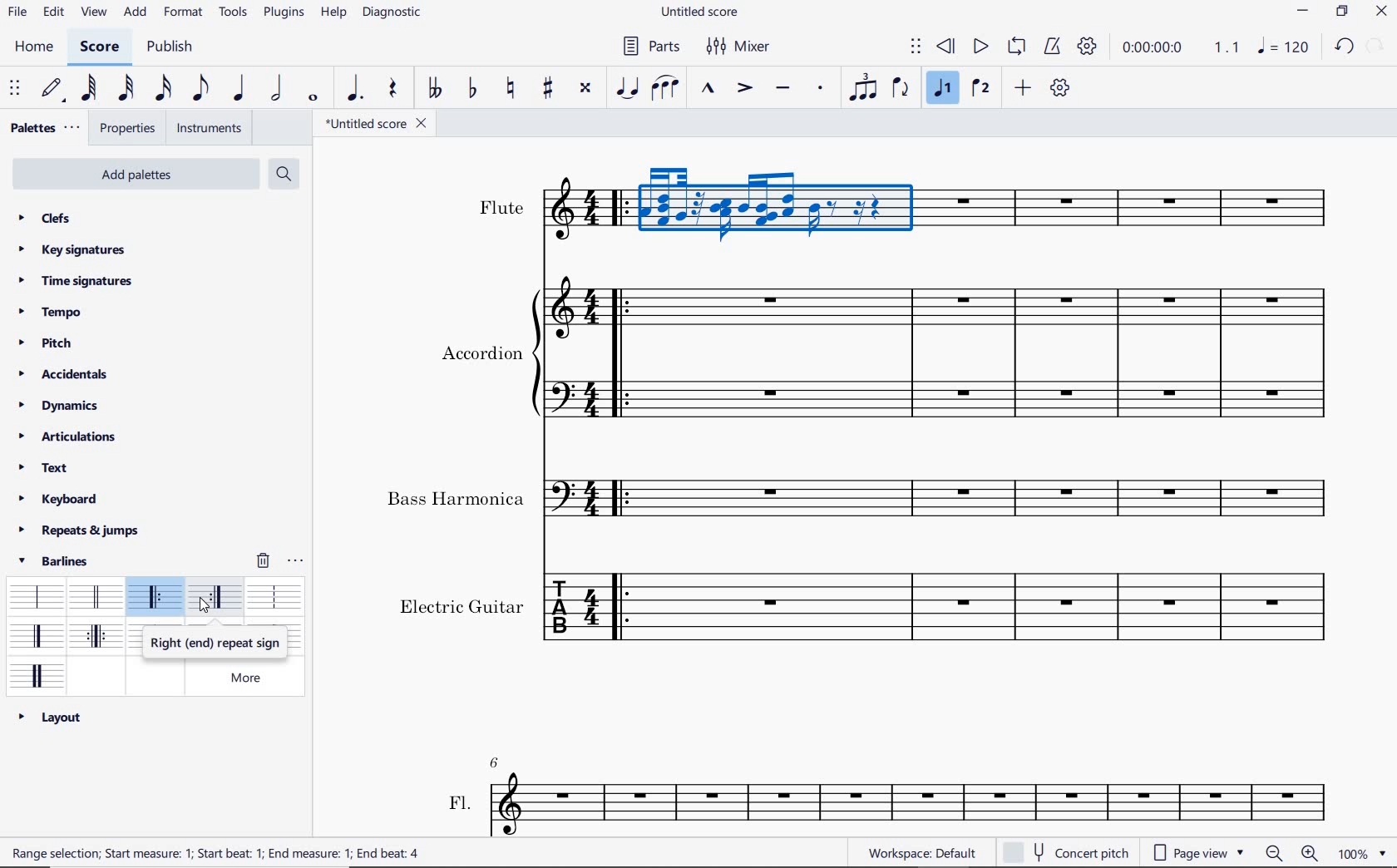 This screenshot has width=1397, height=868. What do you see at coordinates (378, 126) in the screenshot?
I see `file name` at bounding box center [378, 126].